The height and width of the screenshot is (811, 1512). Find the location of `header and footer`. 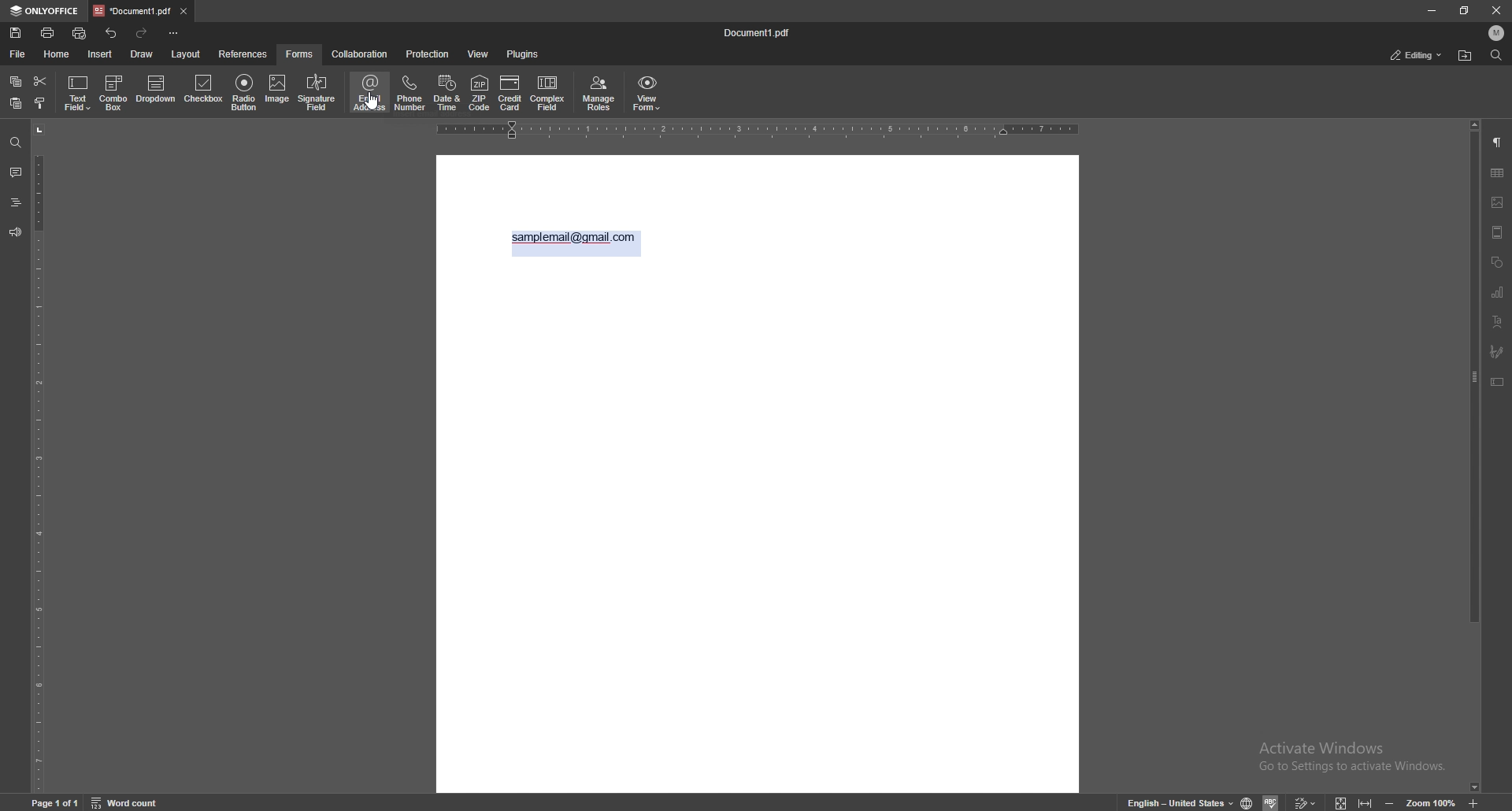

header and footer is located at coordinates (1498, 231).